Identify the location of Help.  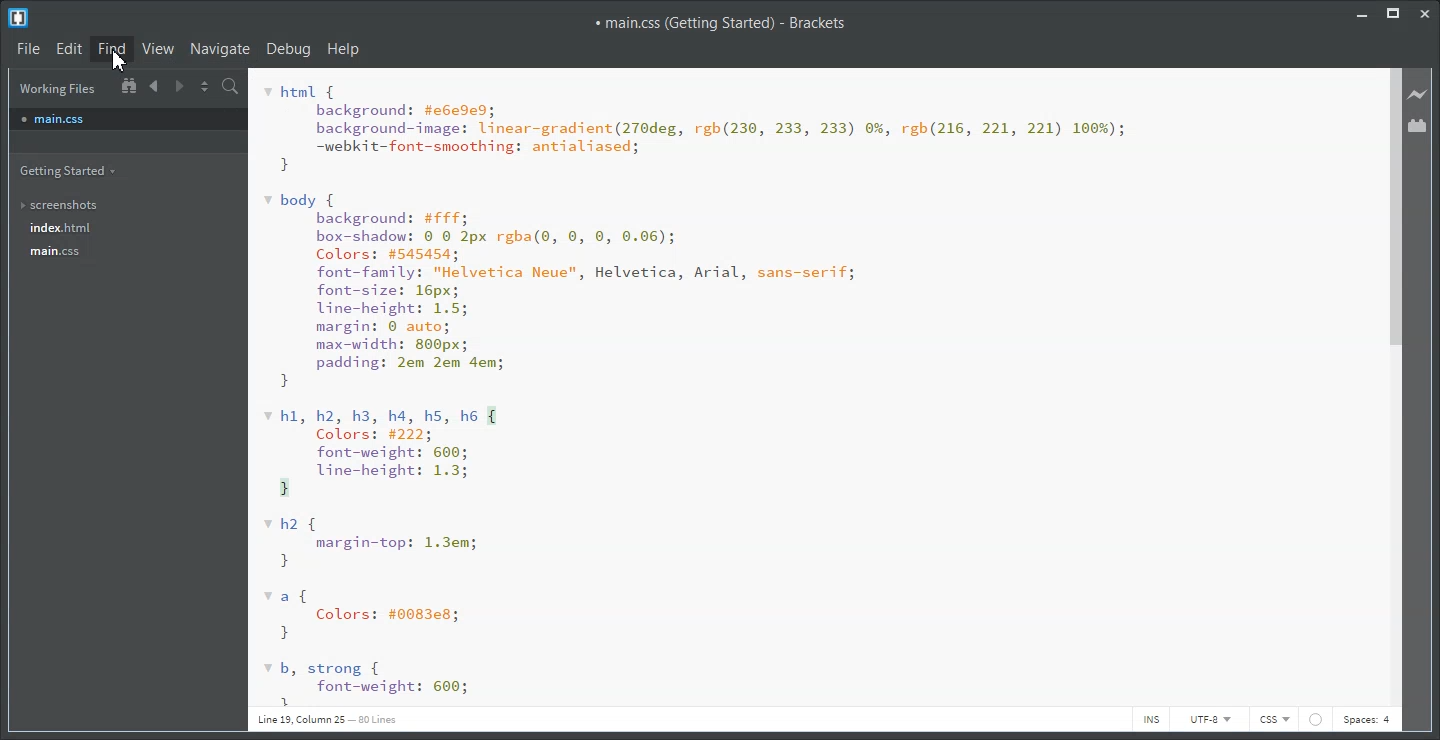
(344, 48).